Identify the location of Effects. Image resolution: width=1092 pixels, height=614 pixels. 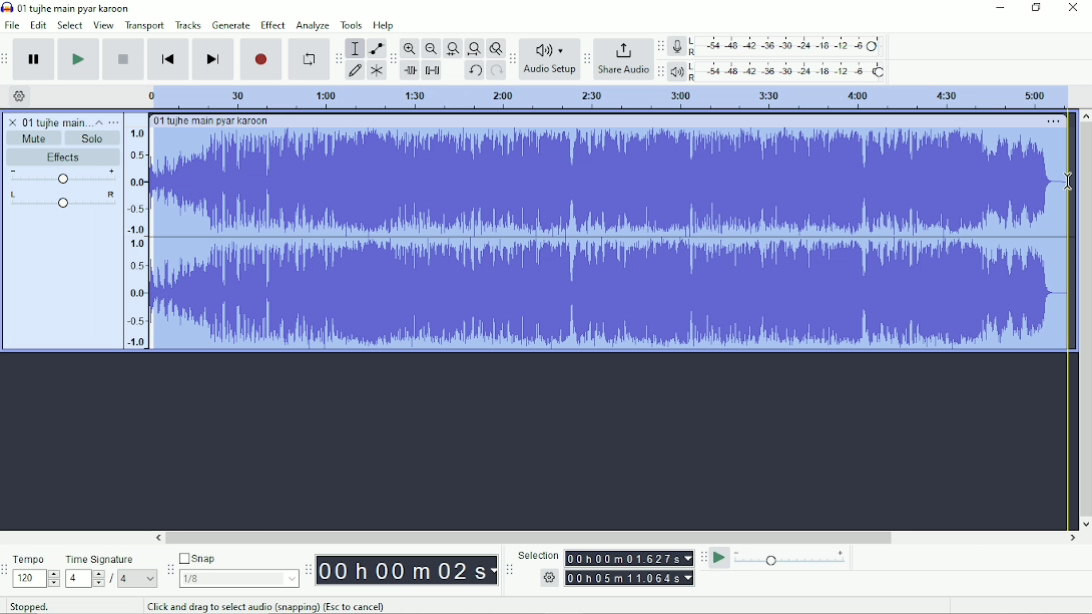
(67, 157).